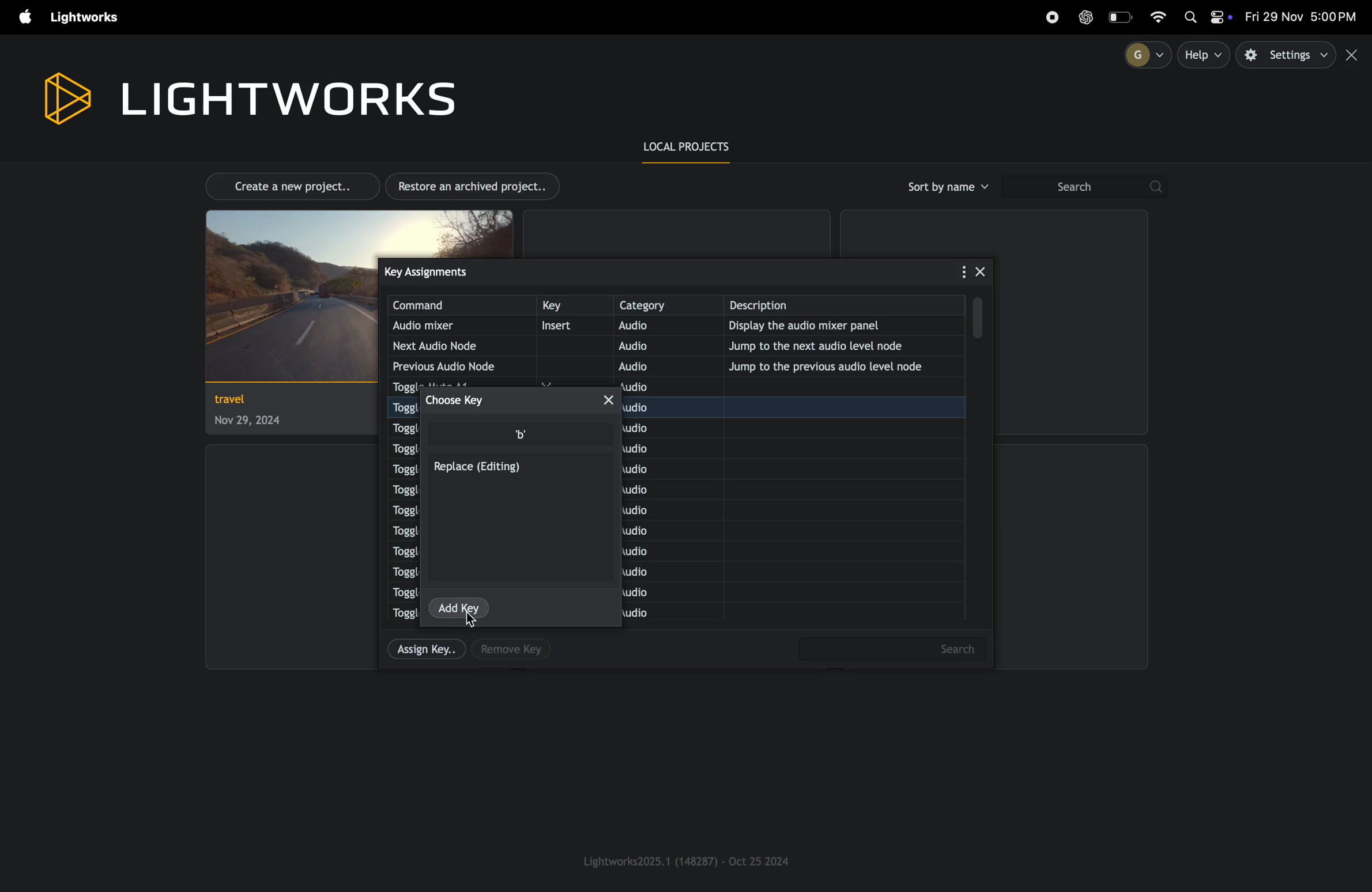  Describe the element at coordinates (286, 185) in the screenshot. I see `create new project` at that location.